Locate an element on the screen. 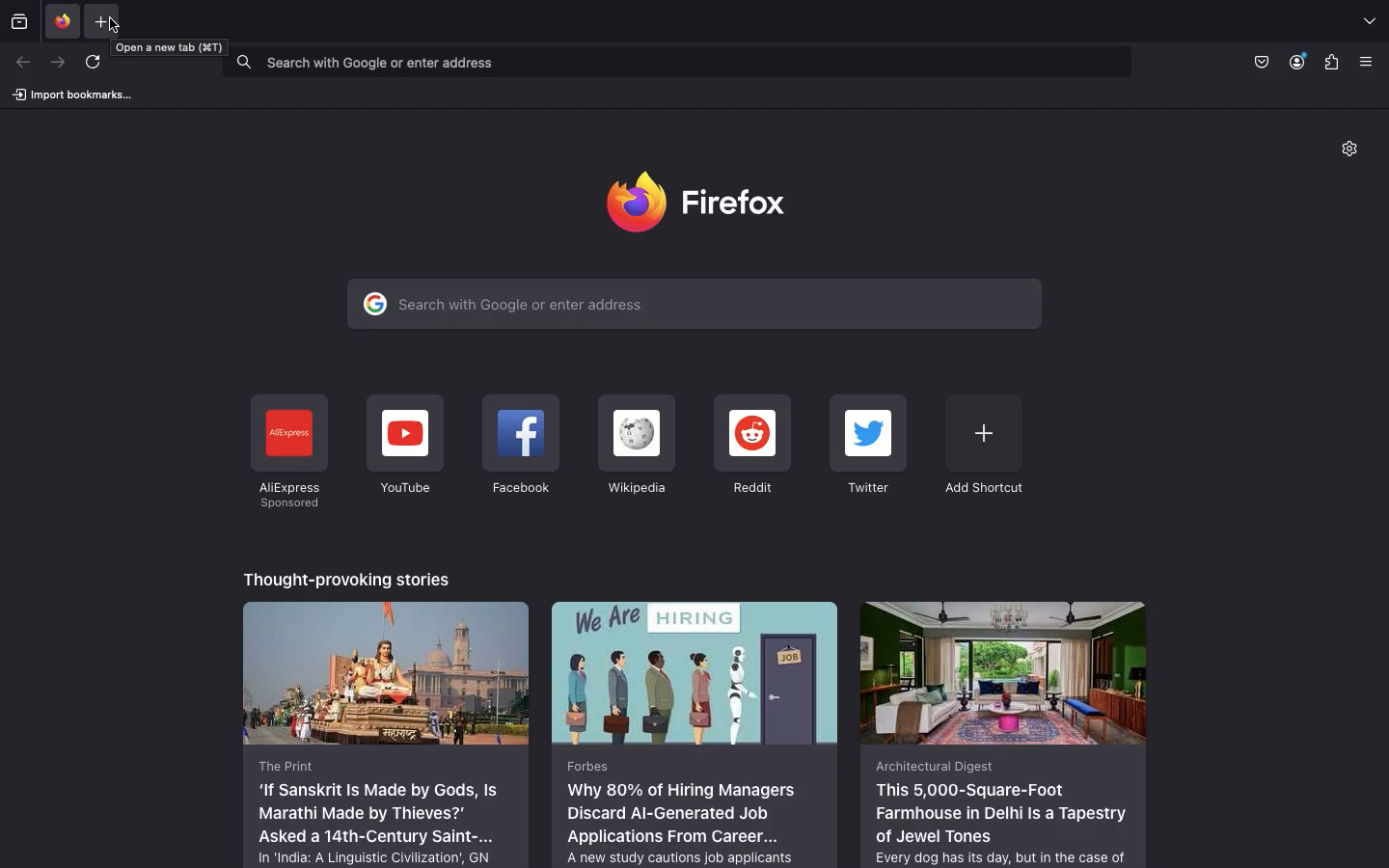  Search bar is located at coordinates (674, 61).